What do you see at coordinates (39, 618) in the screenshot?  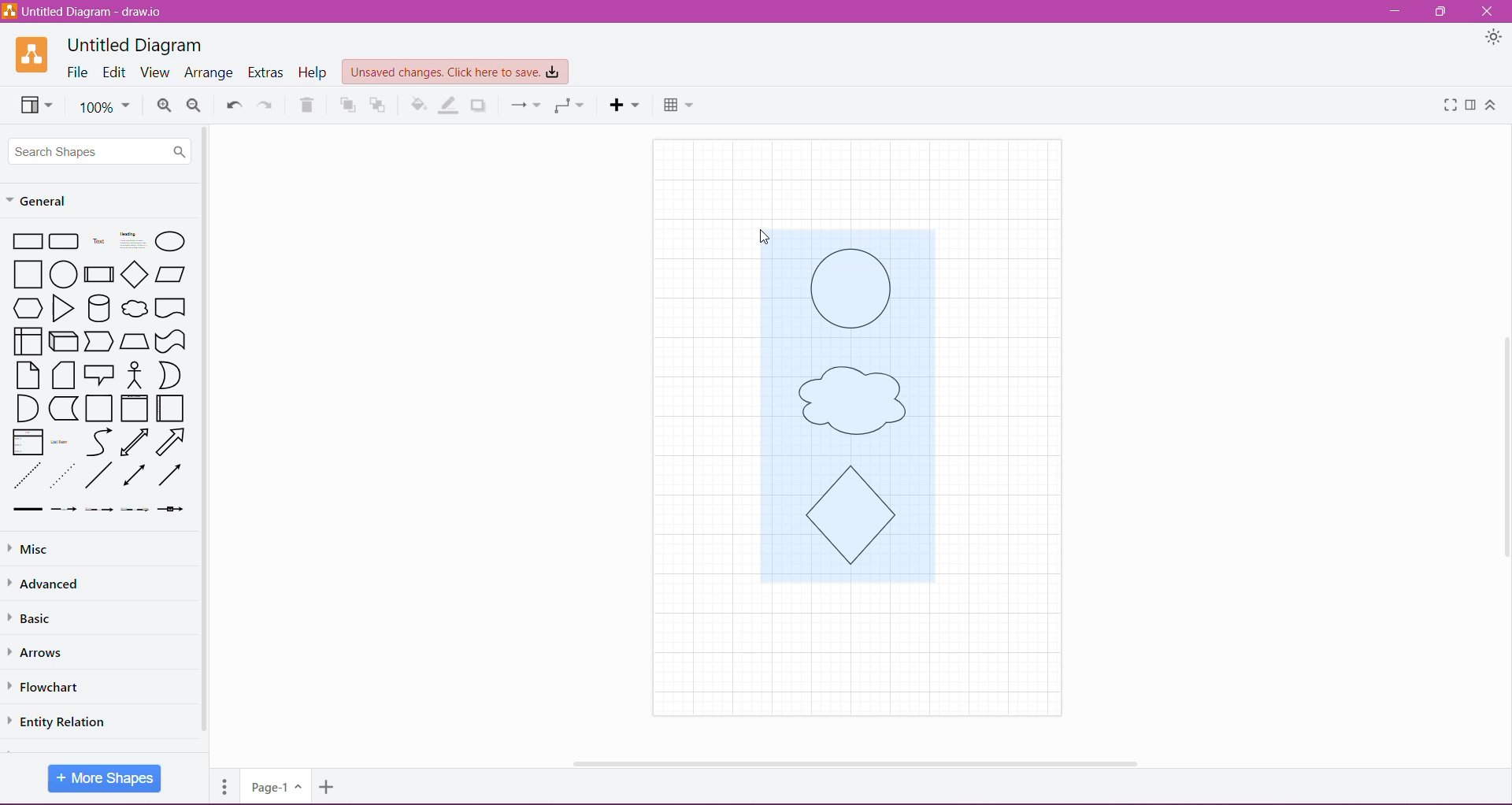 I see `Basic` at bounding box center [39, 618].